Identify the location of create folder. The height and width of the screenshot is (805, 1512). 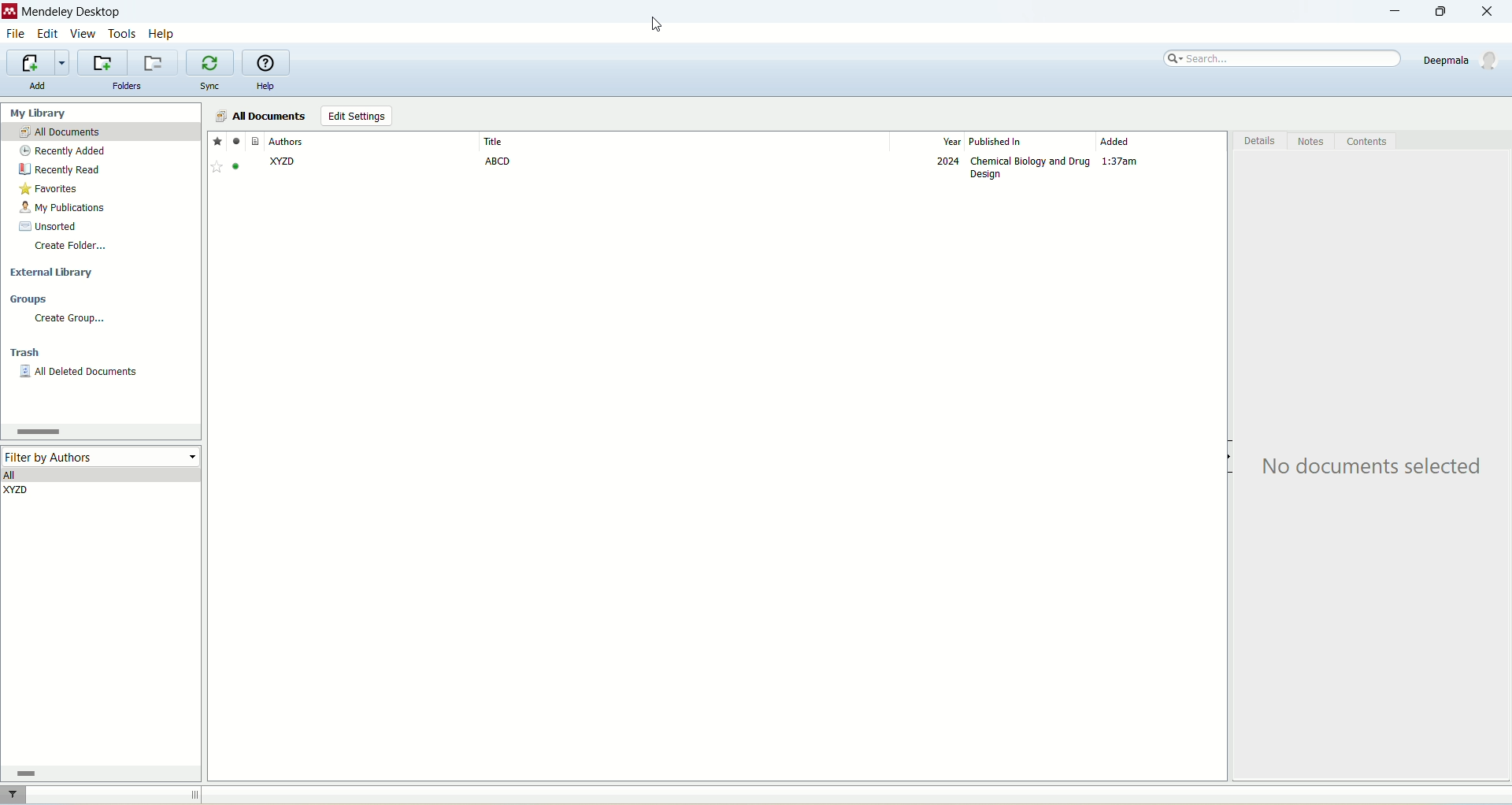
(70, 245).